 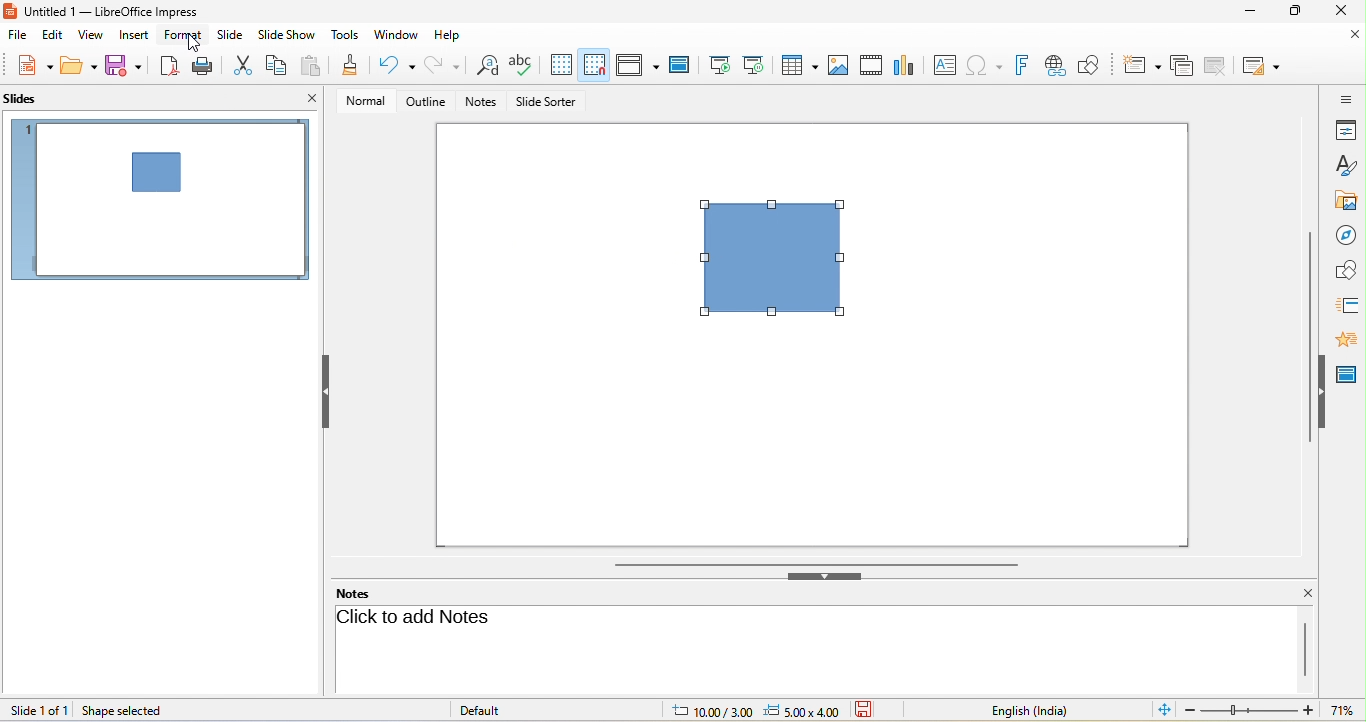 I want to click on Untitled 1 — LibreOffice Impress, so click(x=115, y=11).